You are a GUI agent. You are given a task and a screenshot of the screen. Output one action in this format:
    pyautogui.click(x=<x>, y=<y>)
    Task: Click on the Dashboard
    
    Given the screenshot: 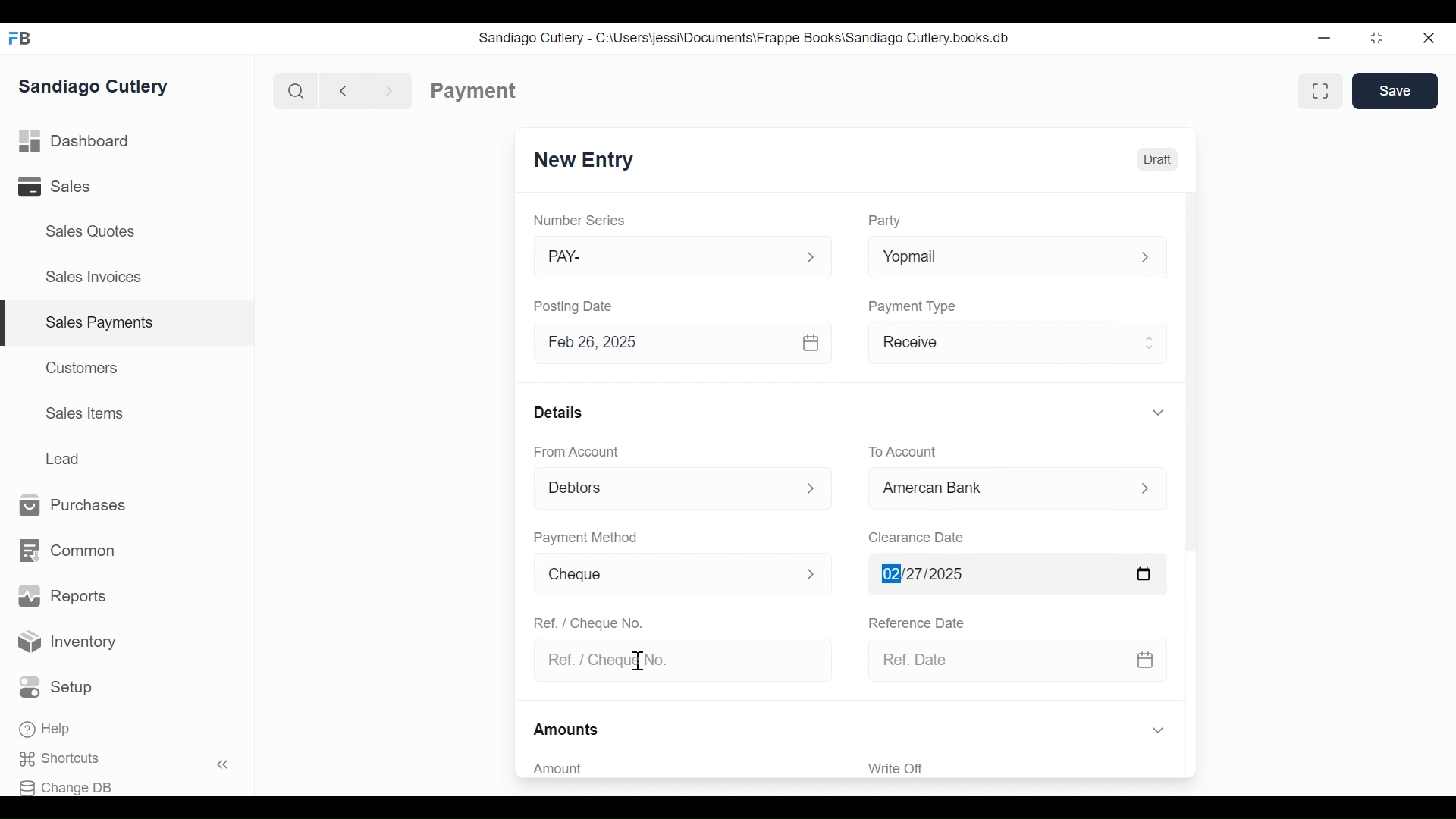 What is the action you would take?
    pyautogui.click(x=74, y=142)
    